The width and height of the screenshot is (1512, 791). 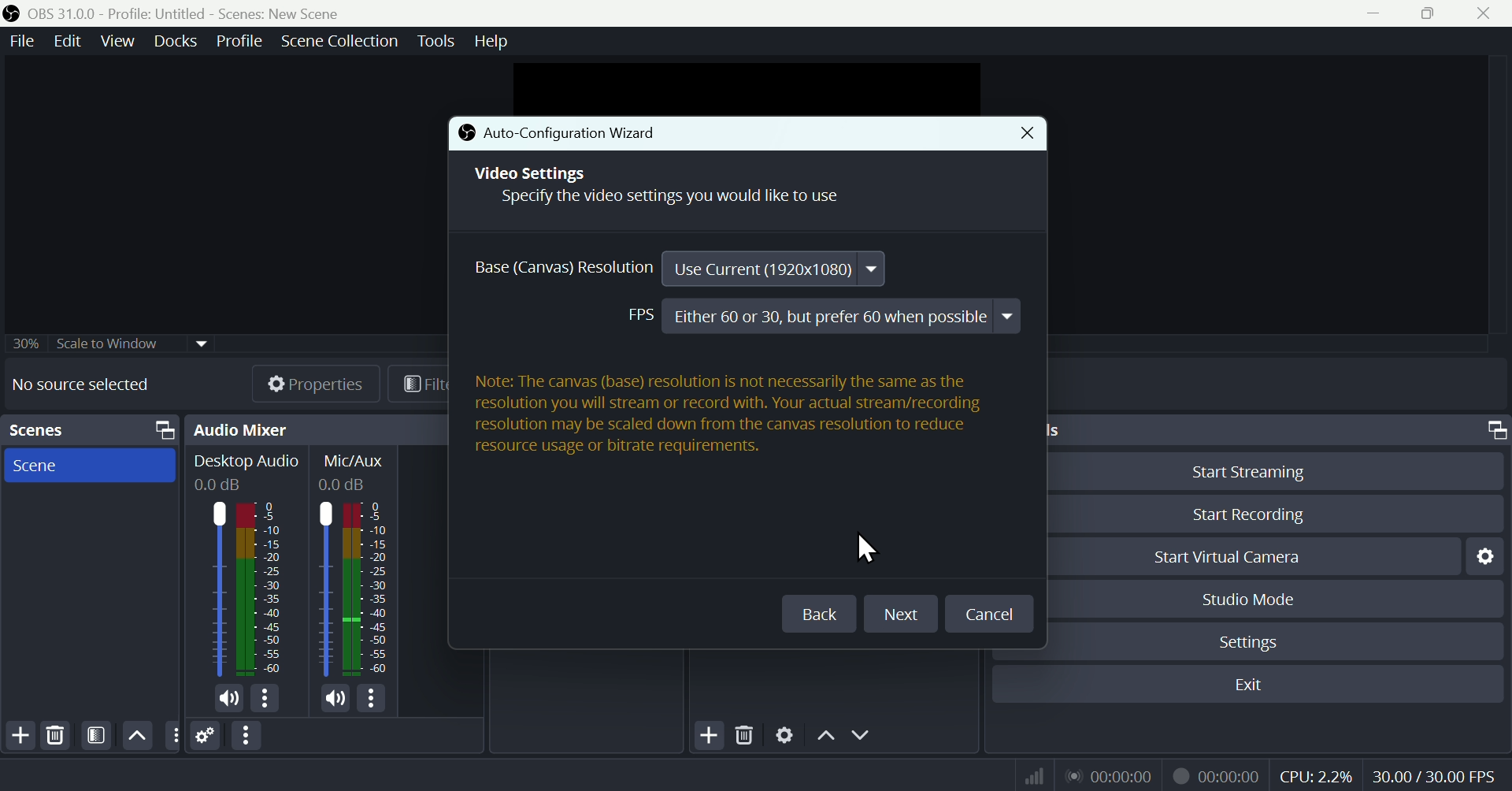 I want to click on File, so click(x=24, y=41).